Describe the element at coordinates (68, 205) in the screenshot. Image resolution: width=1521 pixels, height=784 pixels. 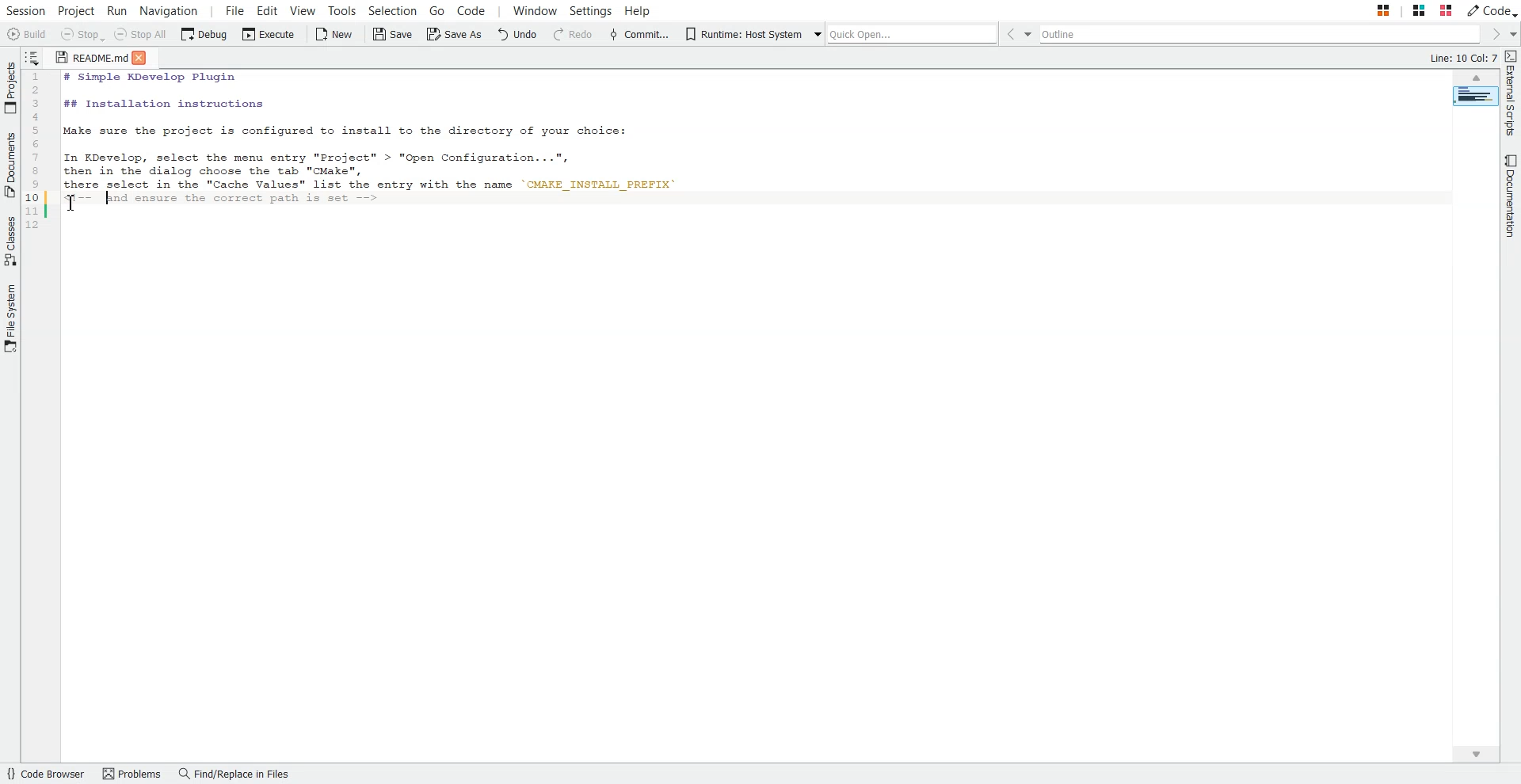
I see `Pointer` at that location.